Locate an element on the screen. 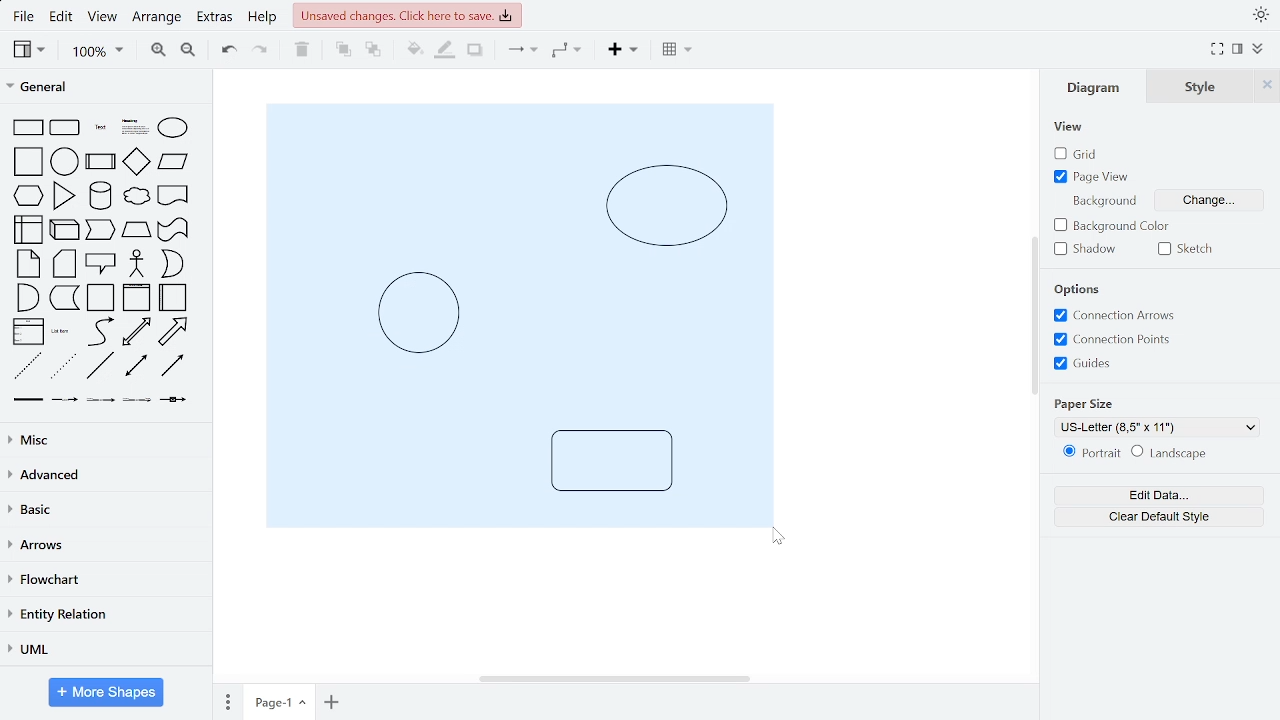 This screenshot has width=1280, height=720. basic is located at coordinates (101, 511).